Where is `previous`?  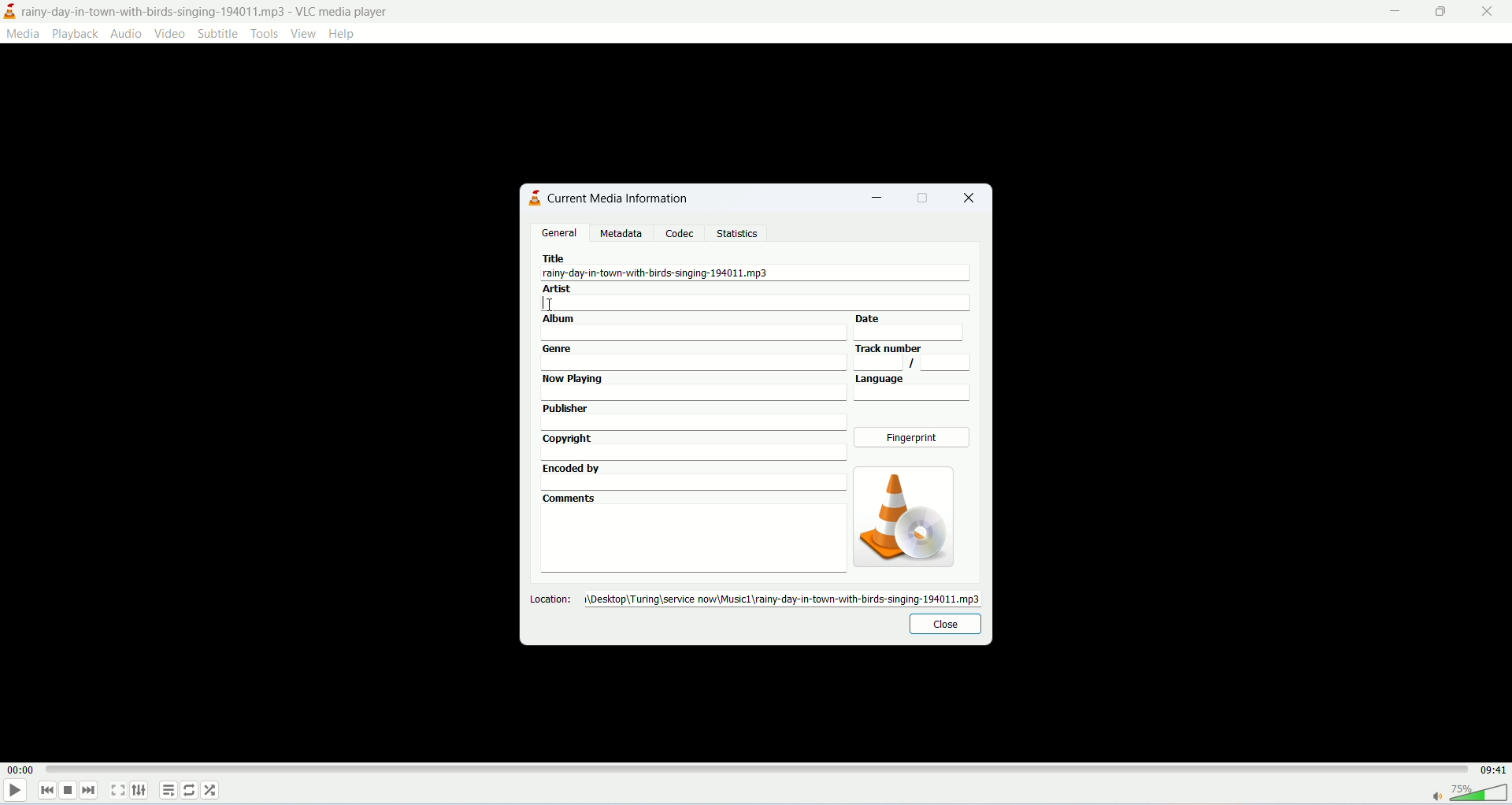 previous is located at coordinates (45, 790).